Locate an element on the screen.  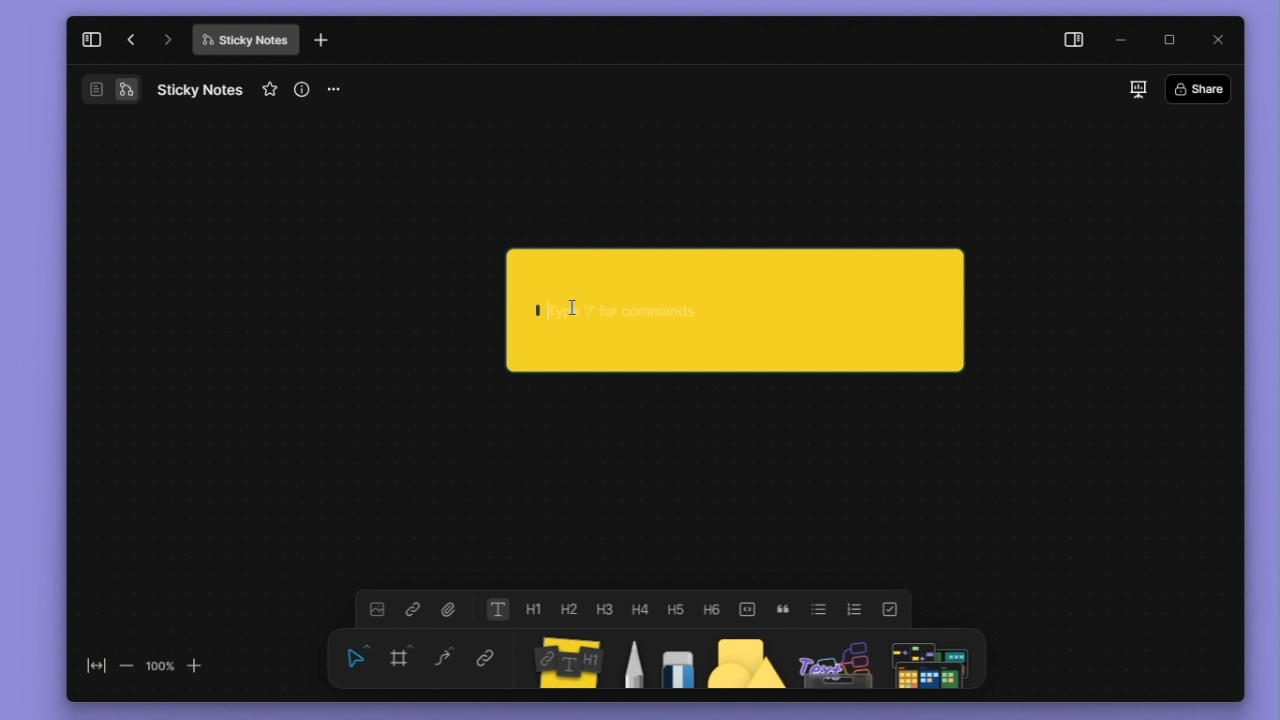
cursor is located at coordinates (571, 306).